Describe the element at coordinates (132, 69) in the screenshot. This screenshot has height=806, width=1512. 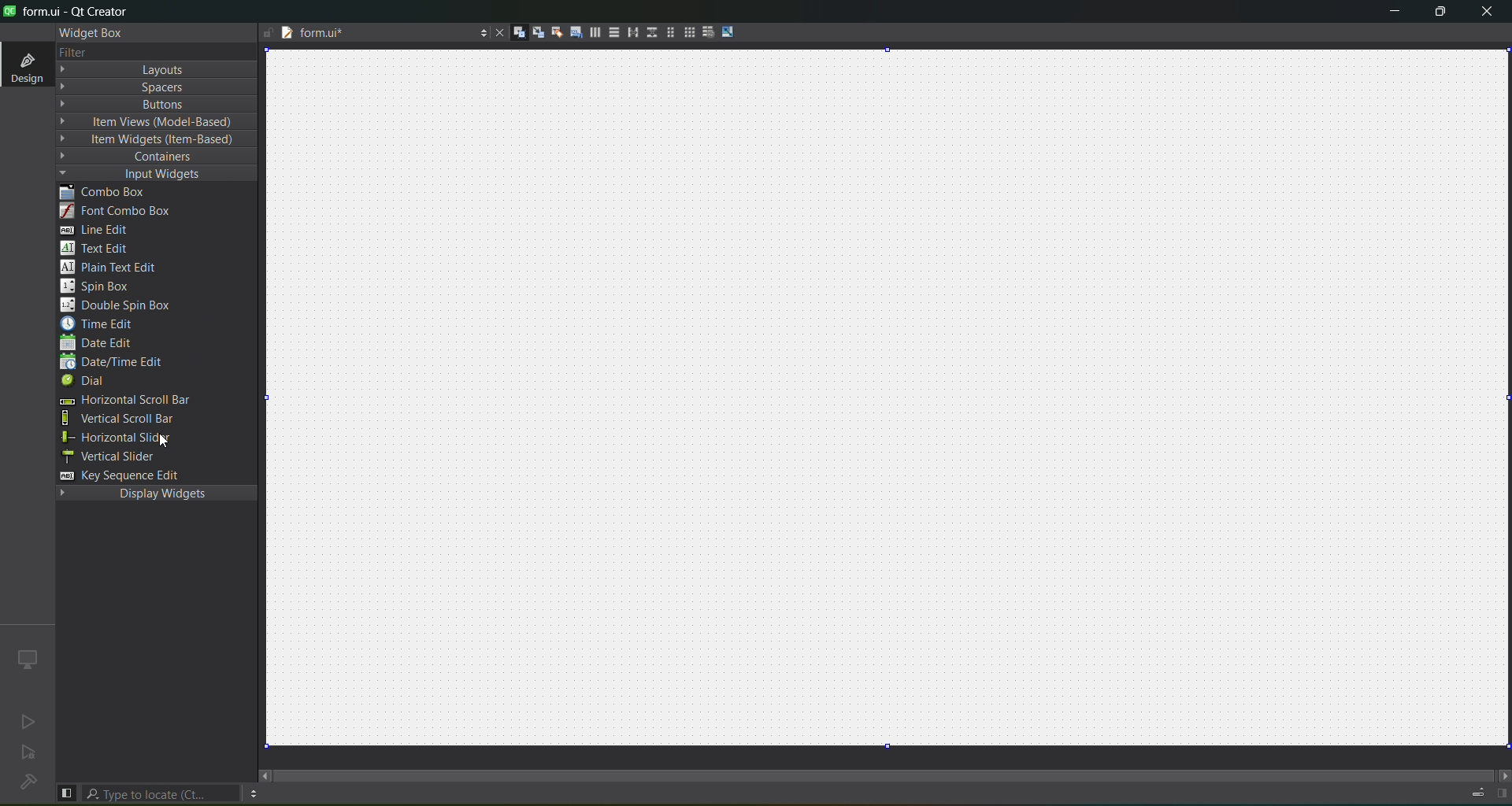
I see `layout` at that location.